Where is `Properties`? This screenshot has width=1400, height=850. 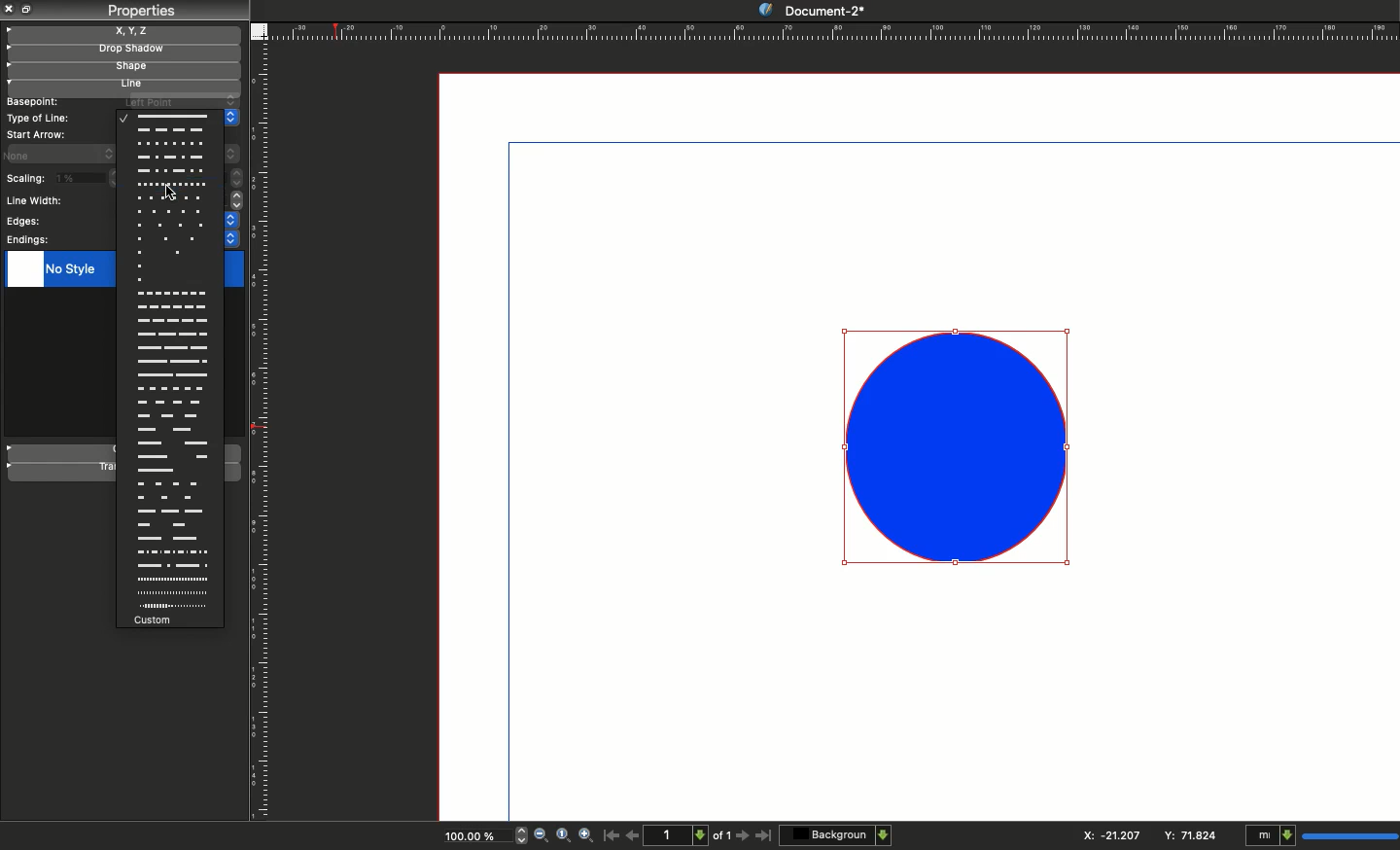
Properties is located at coordinates (140, 11).